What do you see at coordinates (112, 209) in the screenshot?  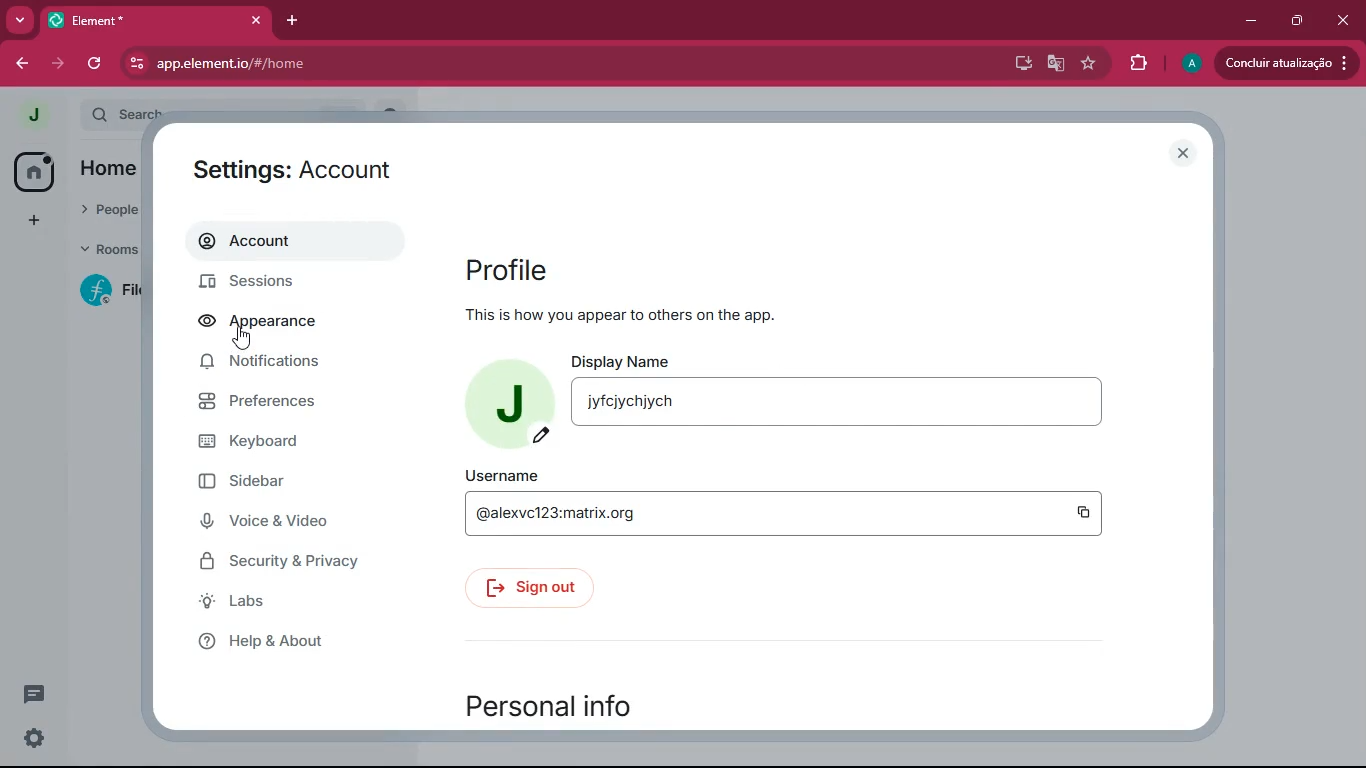 I see `people` at bounding box center [112, 209].